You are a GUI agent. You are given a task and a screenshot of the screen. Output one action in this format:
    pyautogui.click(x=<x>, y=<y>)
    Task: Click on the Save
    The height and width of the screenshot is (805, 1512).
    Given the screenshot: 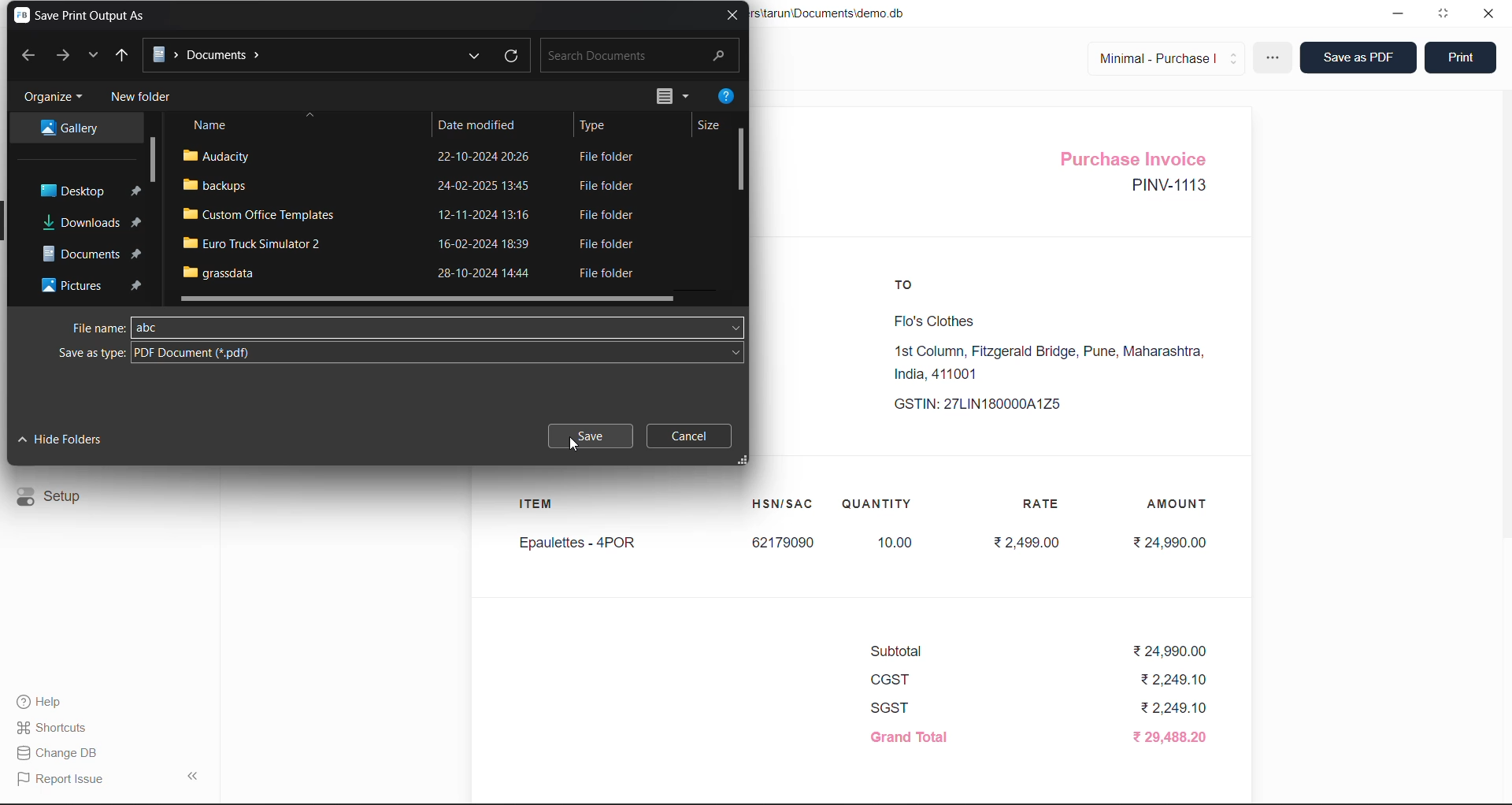 What is the action you would take?
    pyautogui.click(x=588, y=436)
    